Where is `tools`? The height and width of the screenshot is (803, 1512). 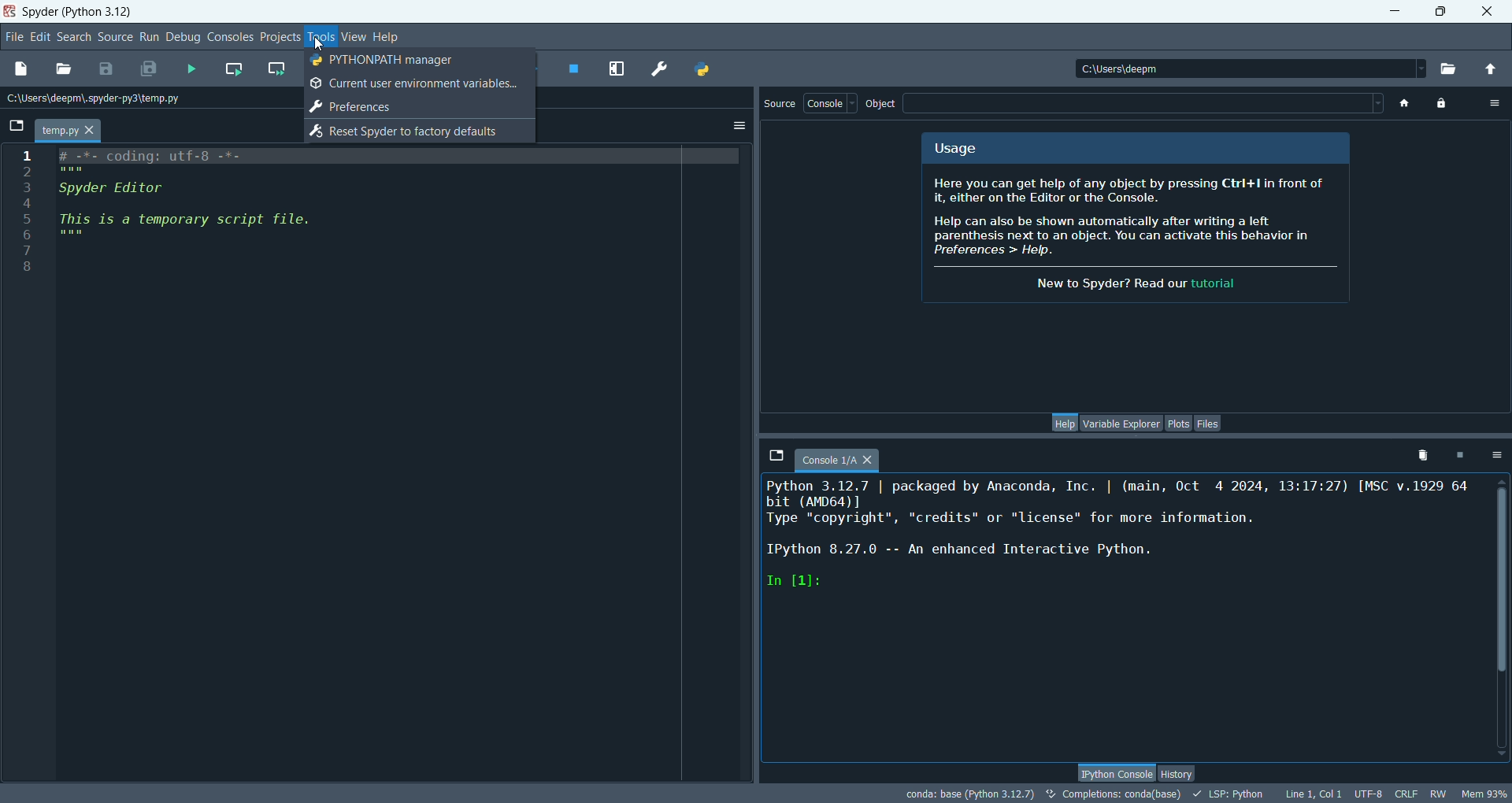 tools is located at coordinates (322, 35).